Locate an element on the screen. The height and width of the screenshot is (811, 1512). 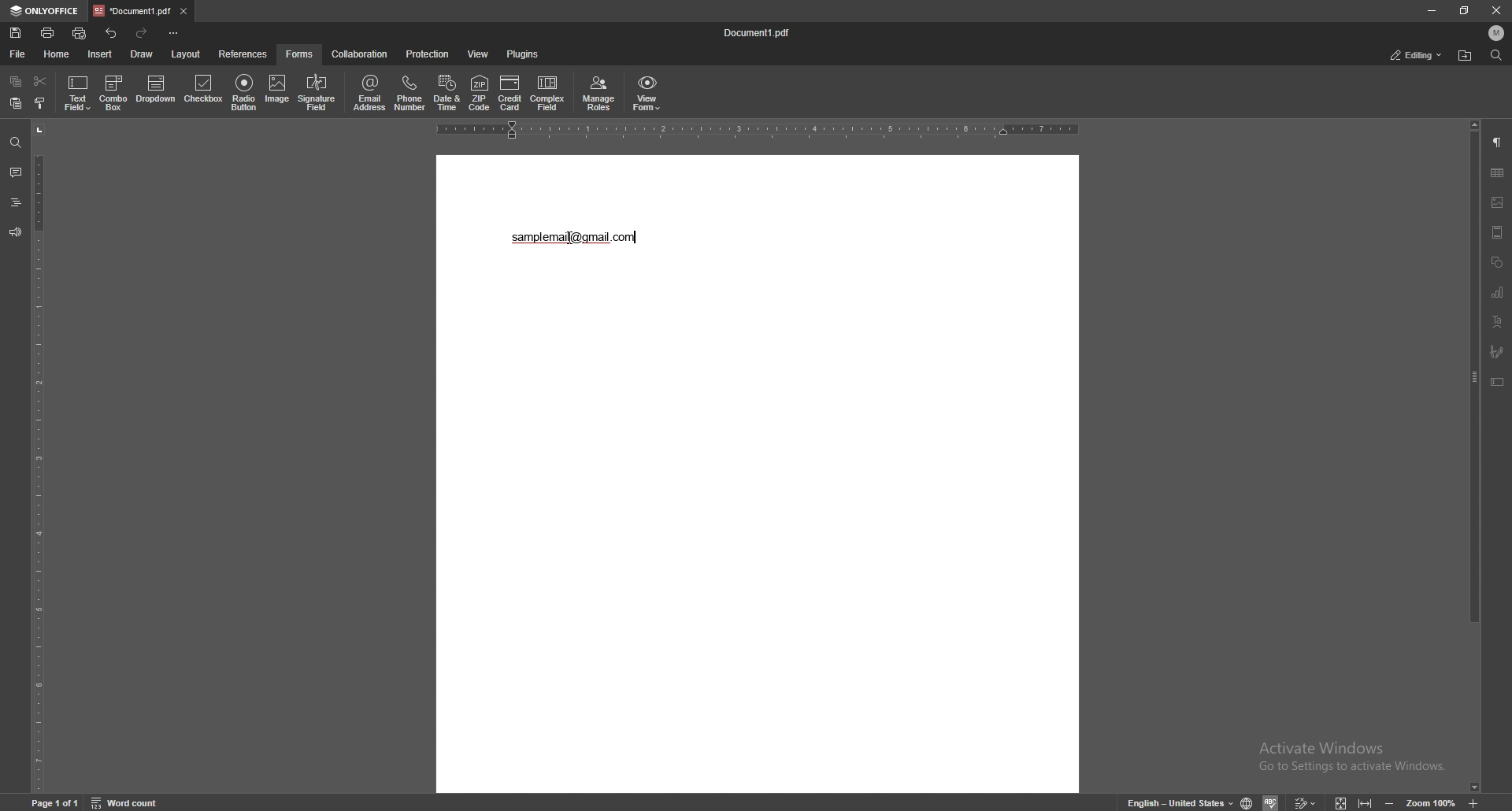
text field is located at coordinates (79, 92).